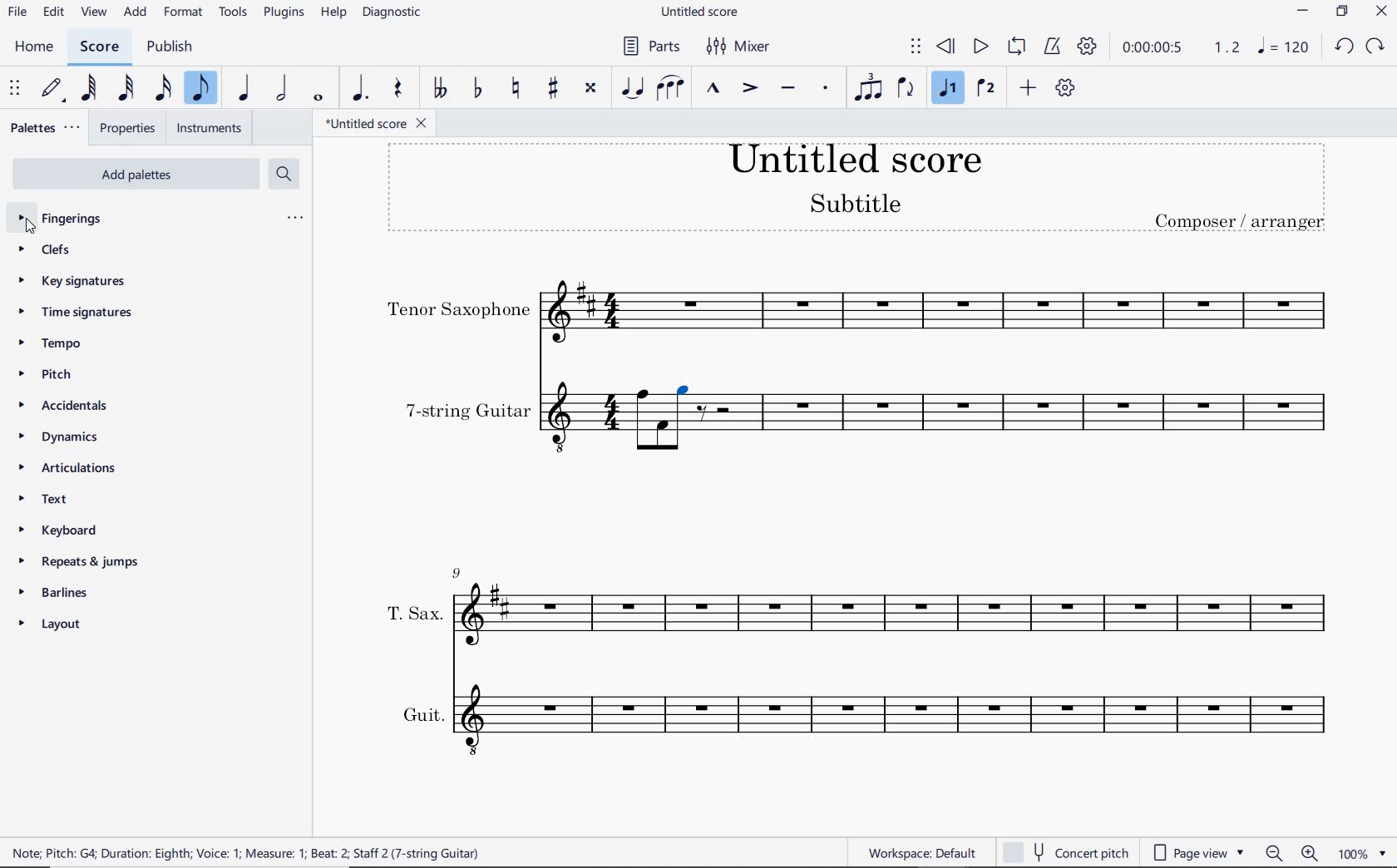 The image size is (1397, 868). What do you see at coordinates (58, 592) in the screenshot?
I see `BARLINES` at bounding box center [58, 592].